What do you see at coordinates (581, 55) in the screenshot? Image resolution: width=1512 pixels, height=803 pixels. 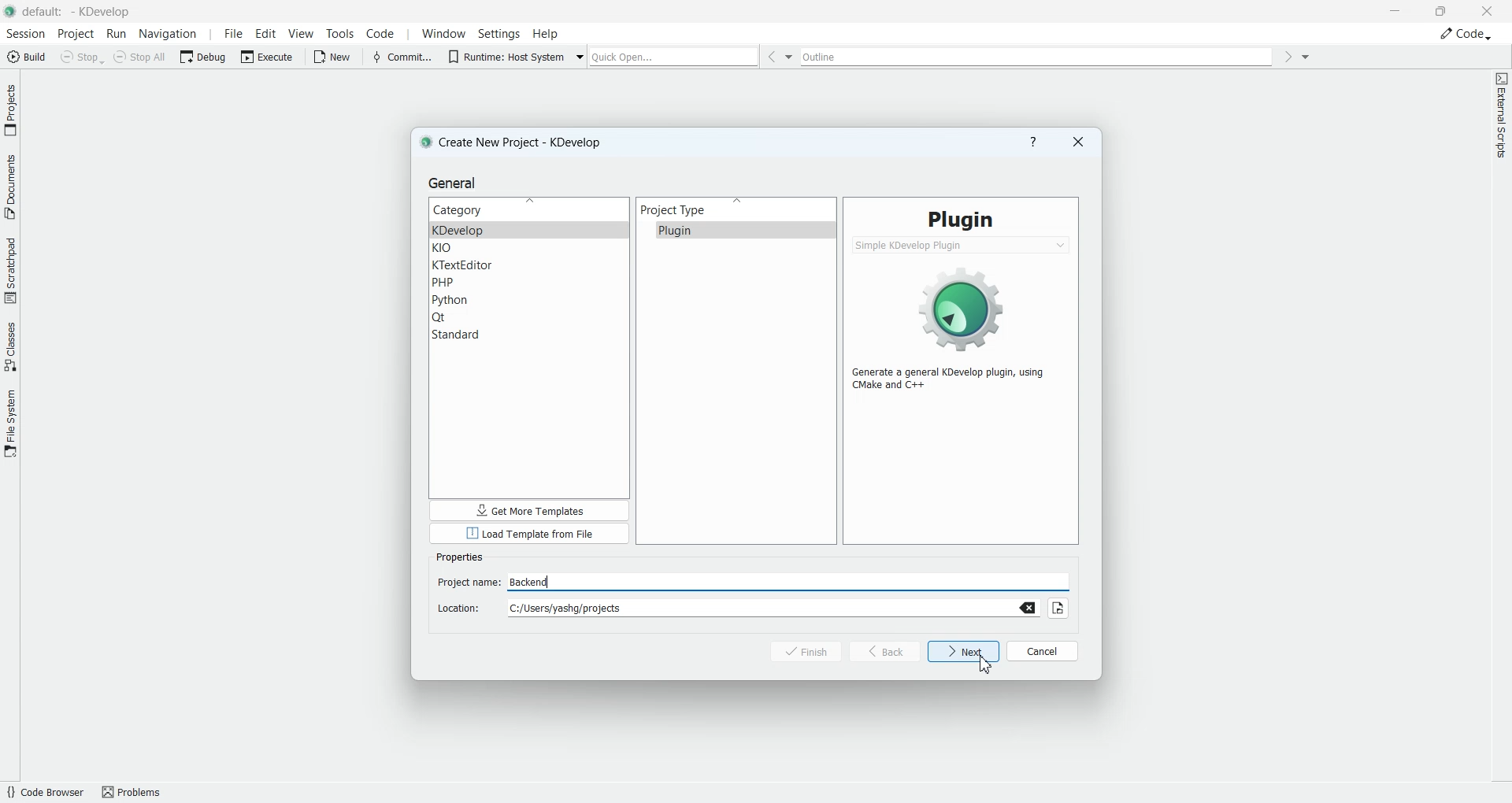 I see `Drop down box` at bounding box center [581, 55].